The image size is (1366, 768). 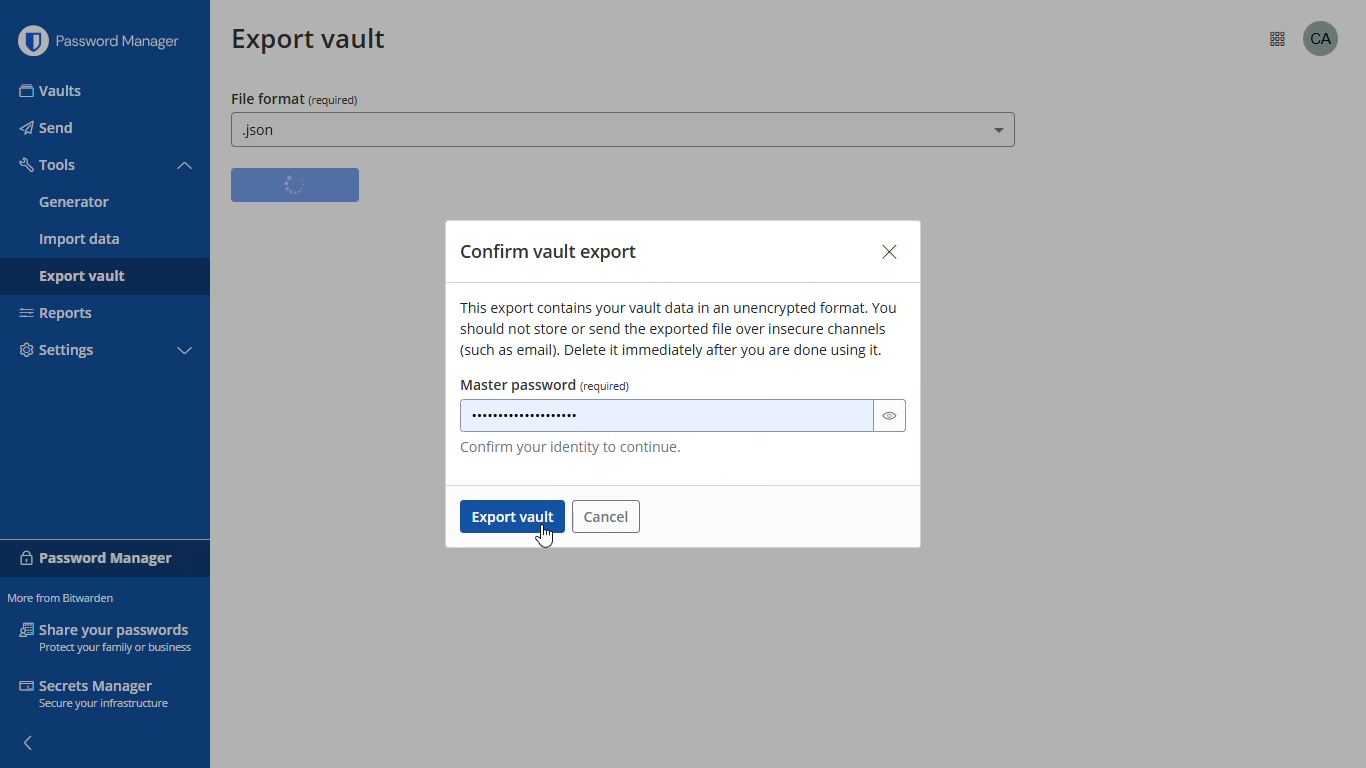 I want to click on import data, so click(x=80, y=240).